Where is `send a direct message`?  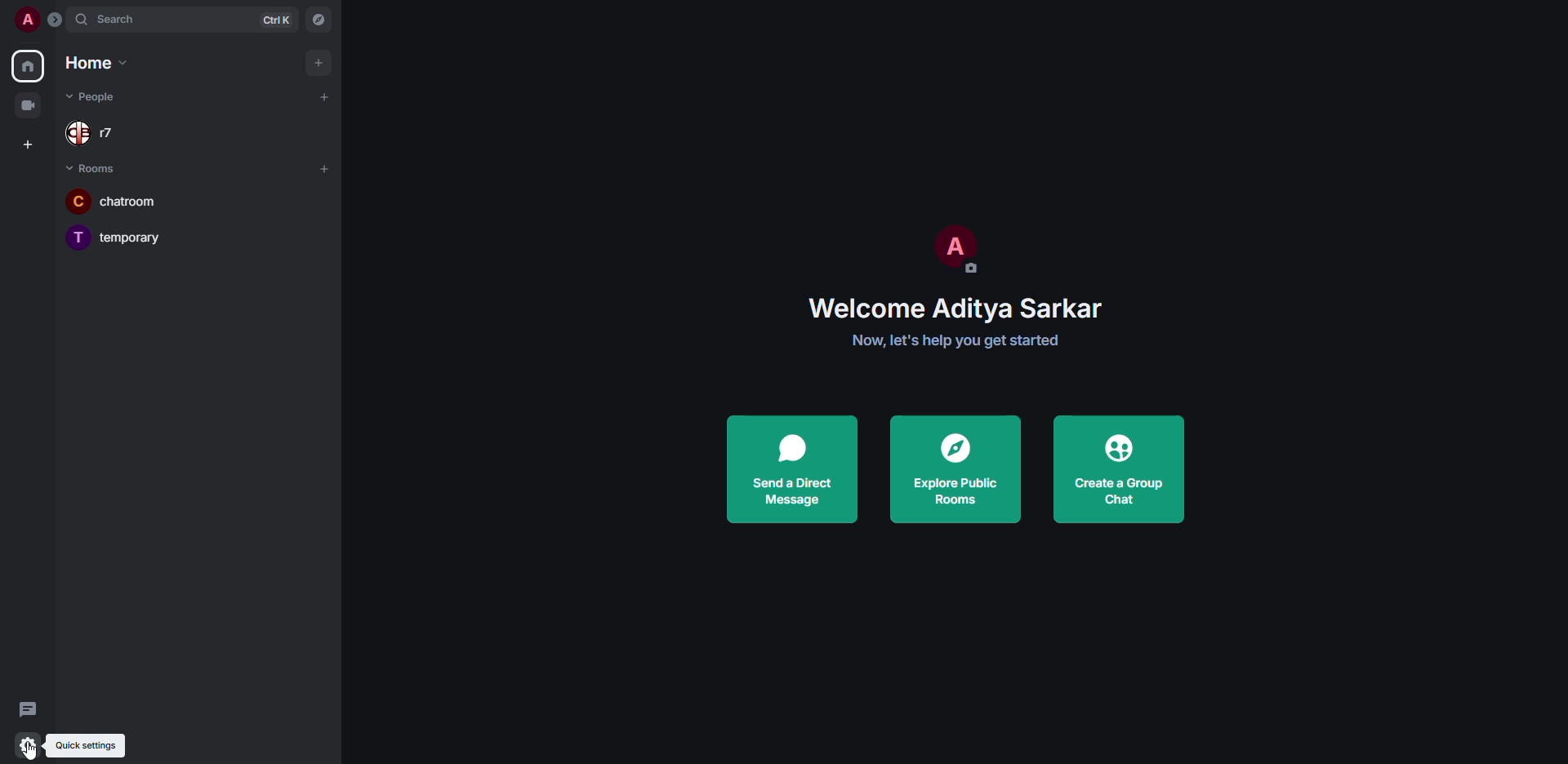
send a direct message is located at coordinates (794, 470).